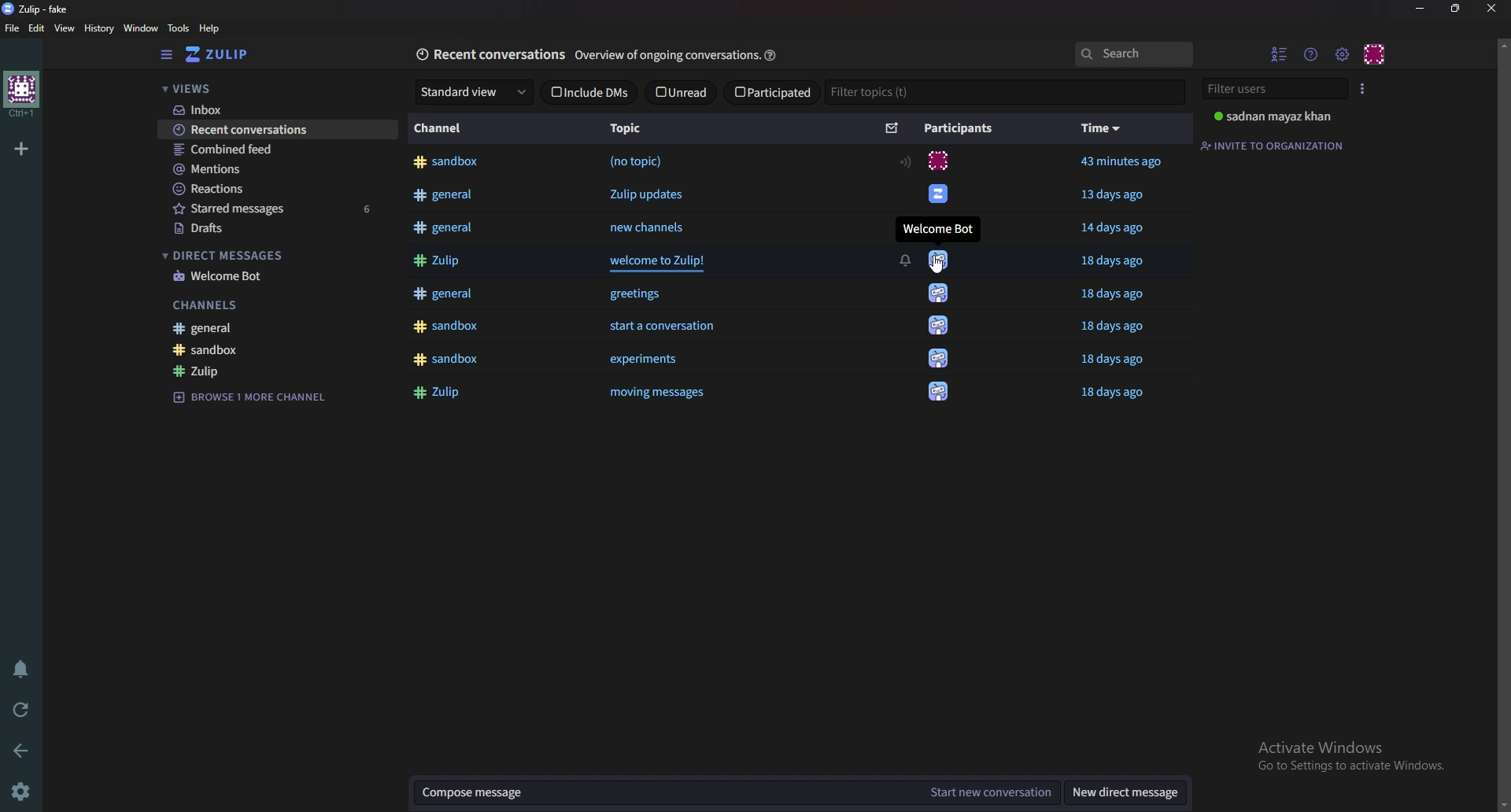  Describe the element at coordinates (276, 351) in the screenshot. I see `sandbox` at that location.